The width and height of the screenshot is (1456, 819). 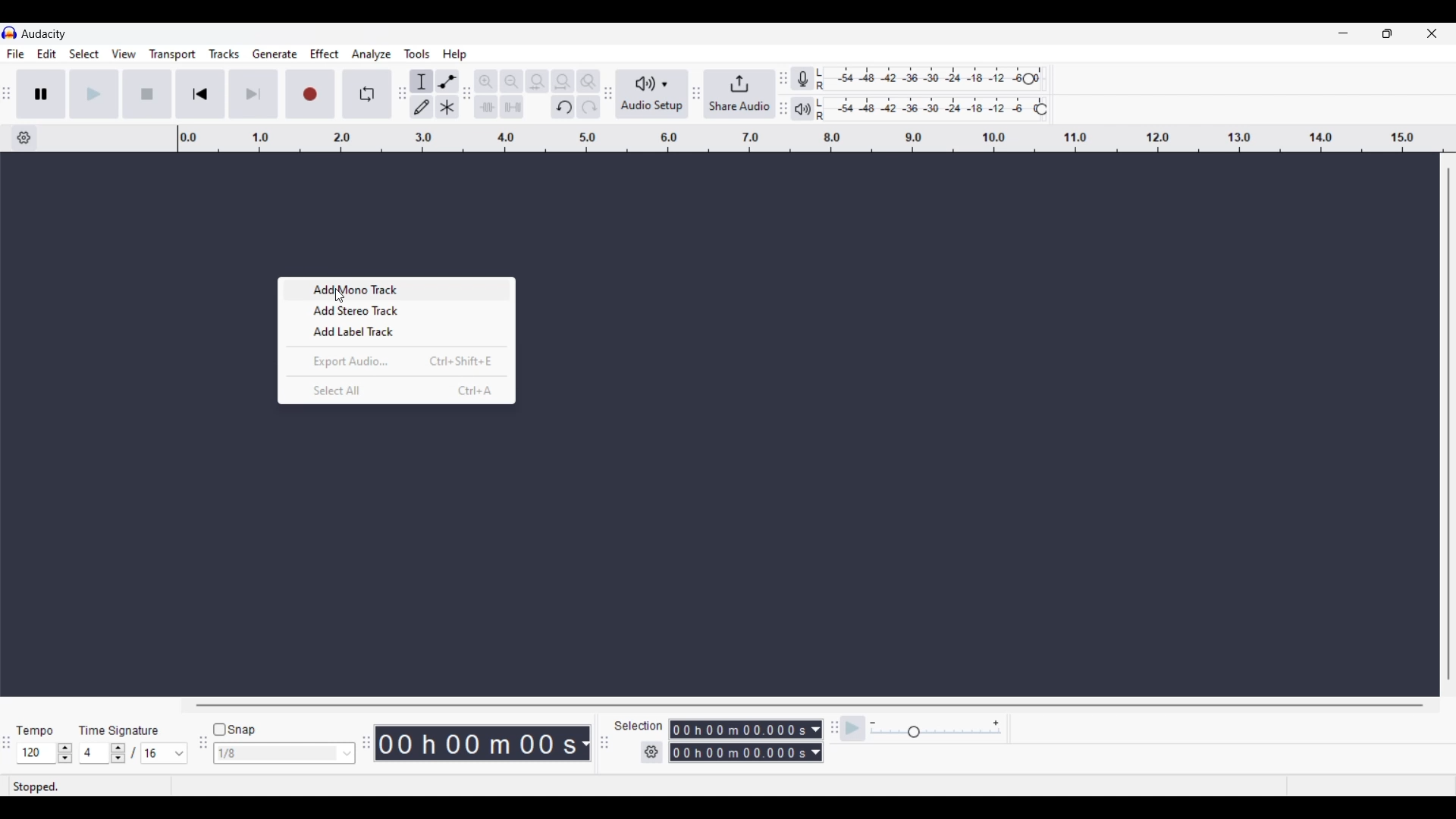 What do you see at coordinates (652, 94) in the screenshot?
I see `Audio setup` at bounding box center [652, 94].